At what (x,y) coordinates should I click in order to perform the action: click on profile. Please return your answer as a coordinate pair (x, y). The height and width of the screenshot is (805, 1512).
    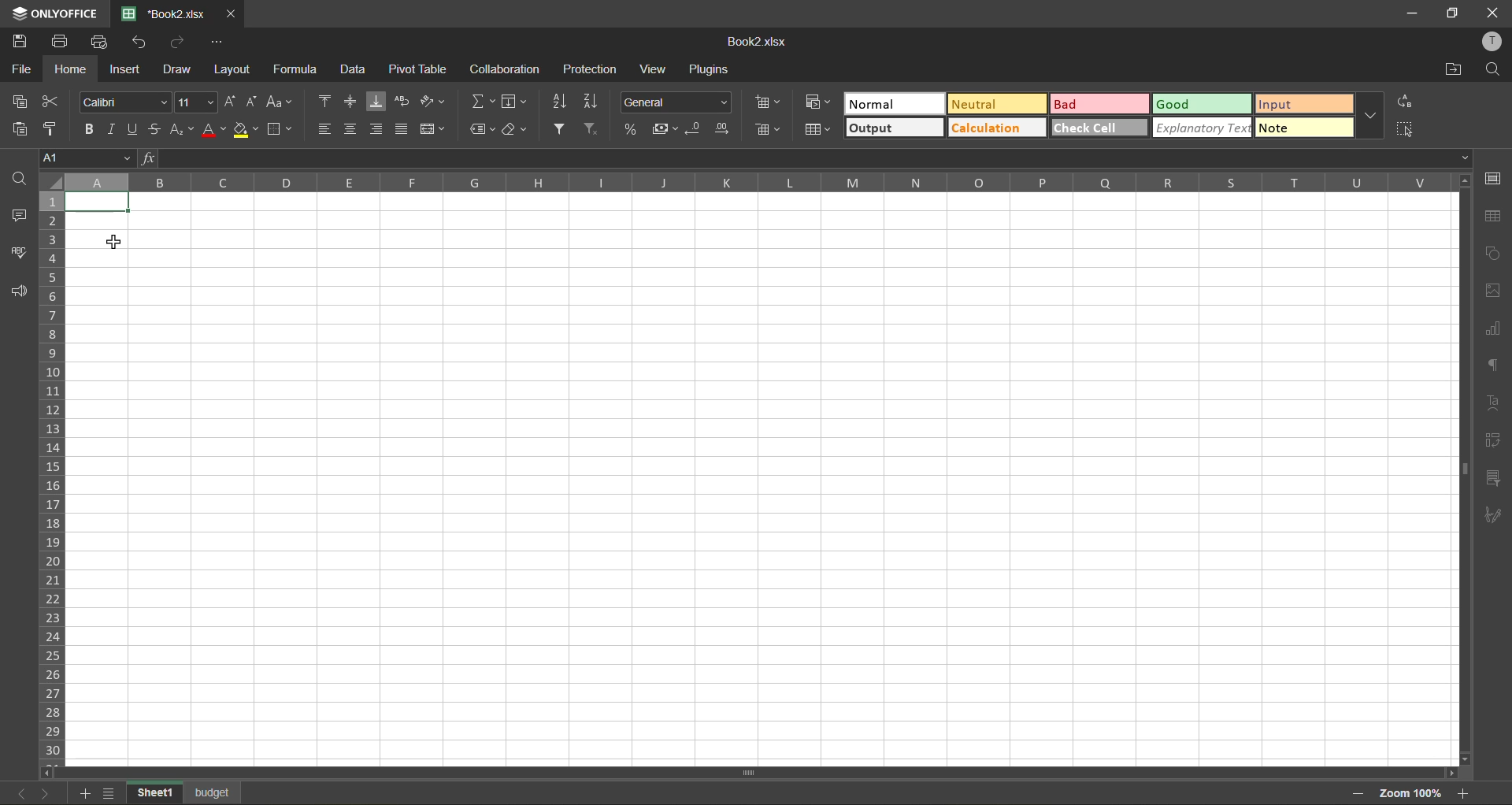
    Looking at the image, I should click on (1492, 41).